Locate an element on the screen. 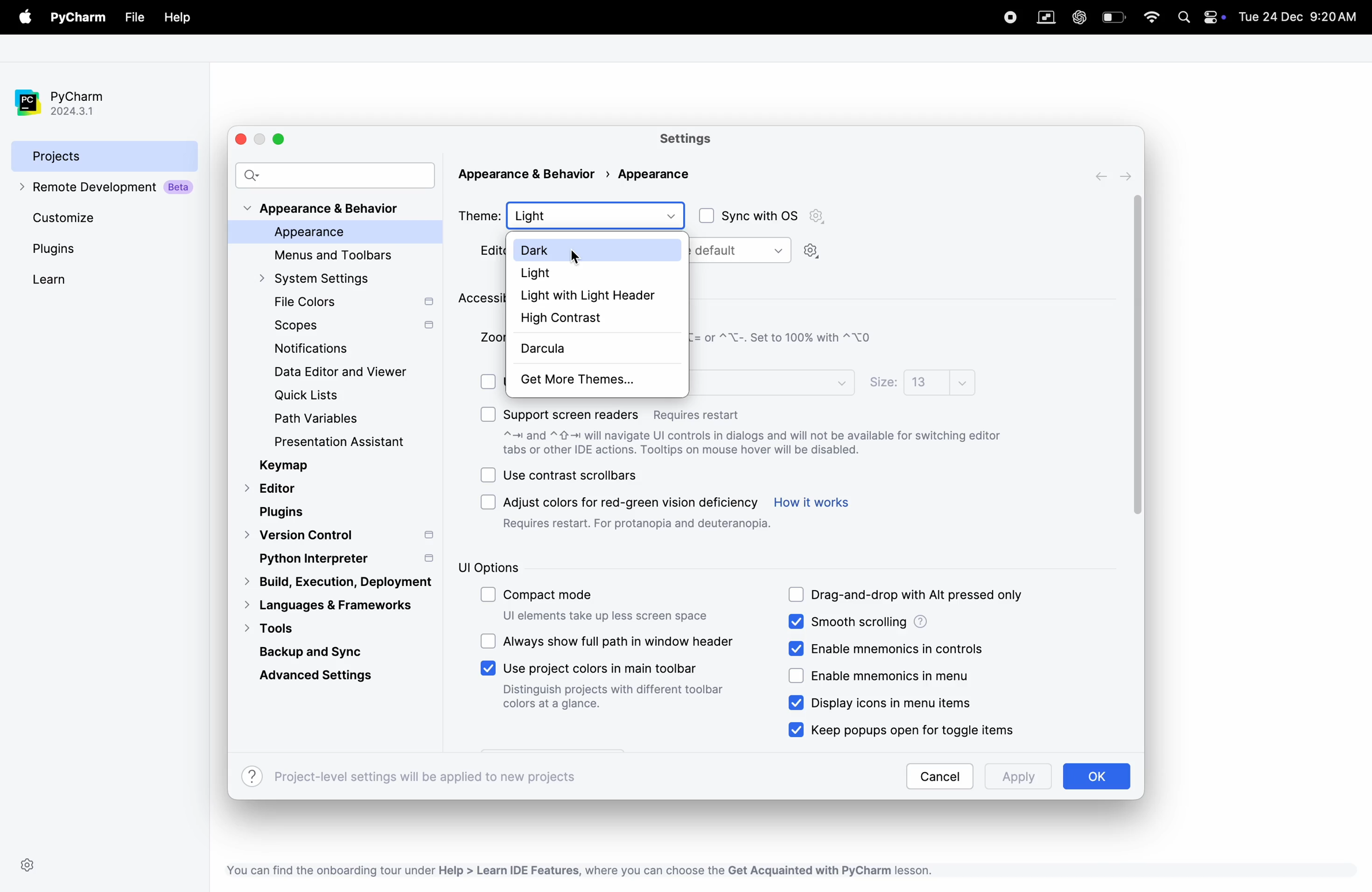 This screenshot has height=892, width=1372. customize is located at coordinates (86, 217).